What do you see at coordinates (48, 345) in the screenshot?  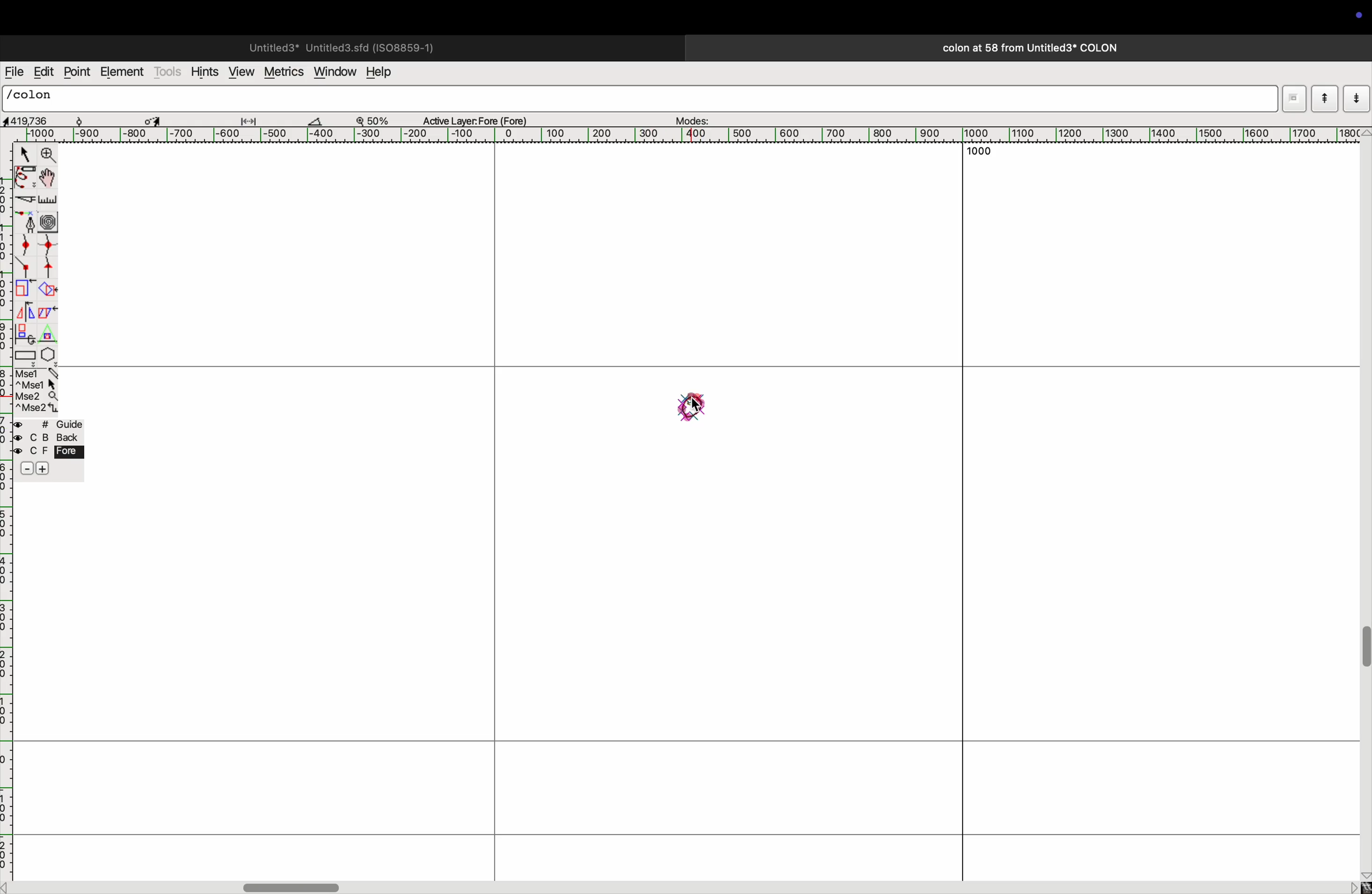 I see `pentagon` at bounding box center [48, 345].